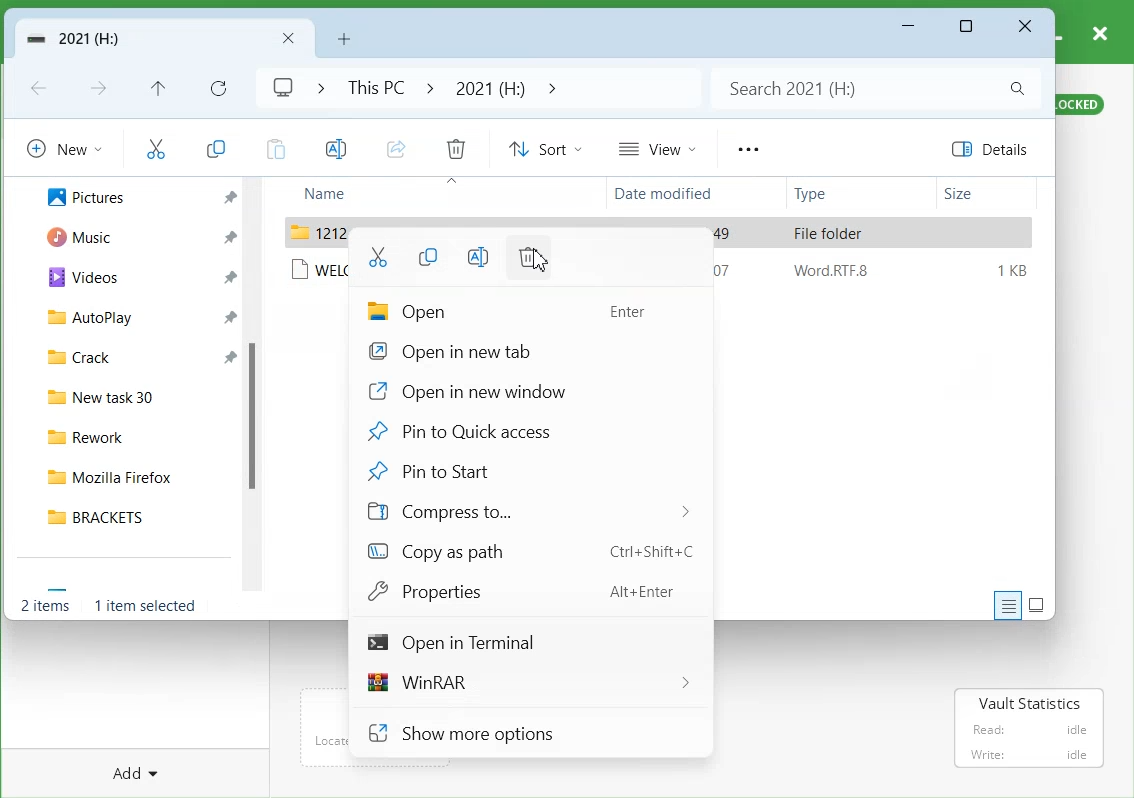 This screenshot has width=1134, height=798. Describe the element at coordinates (273, 147) in the screenshot. I see `Paste` at that location.